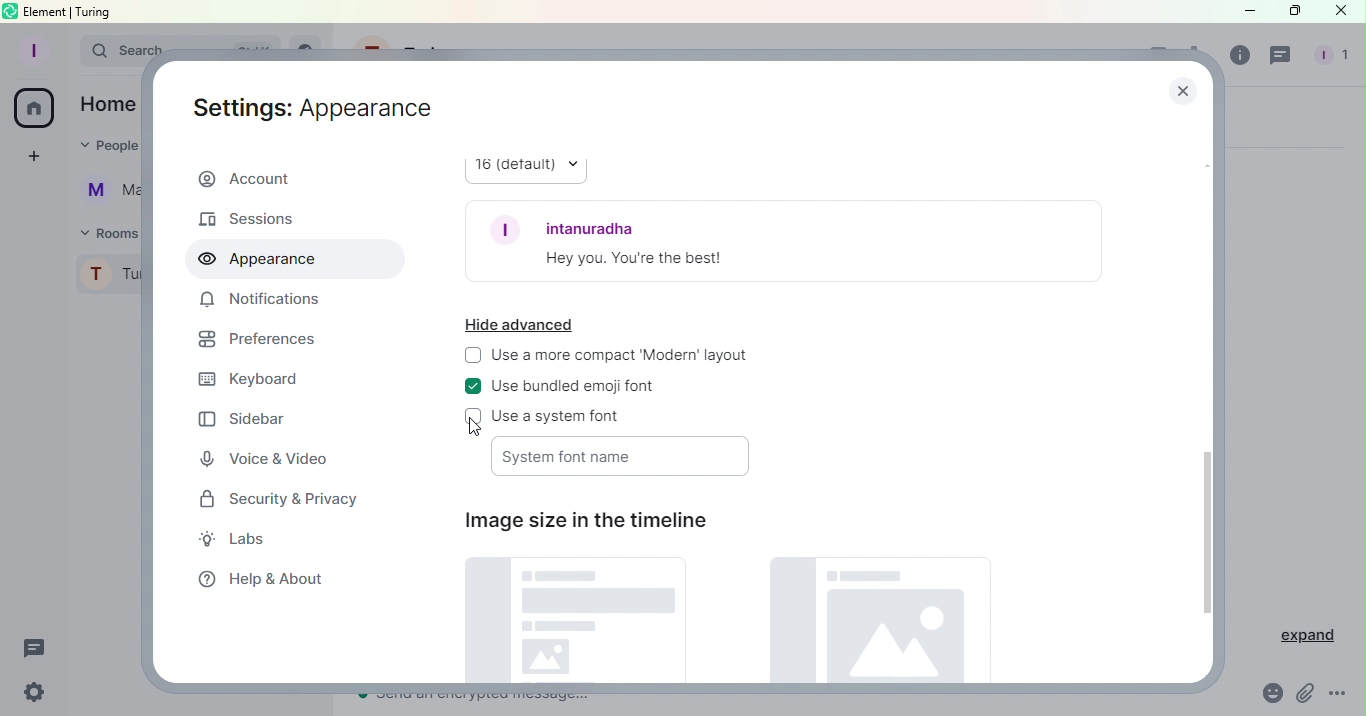 This screenshot has height=716, width=1366. Describe the element at coordinates (249, 421) in the screenshot. I see `Sidebar` at that location.